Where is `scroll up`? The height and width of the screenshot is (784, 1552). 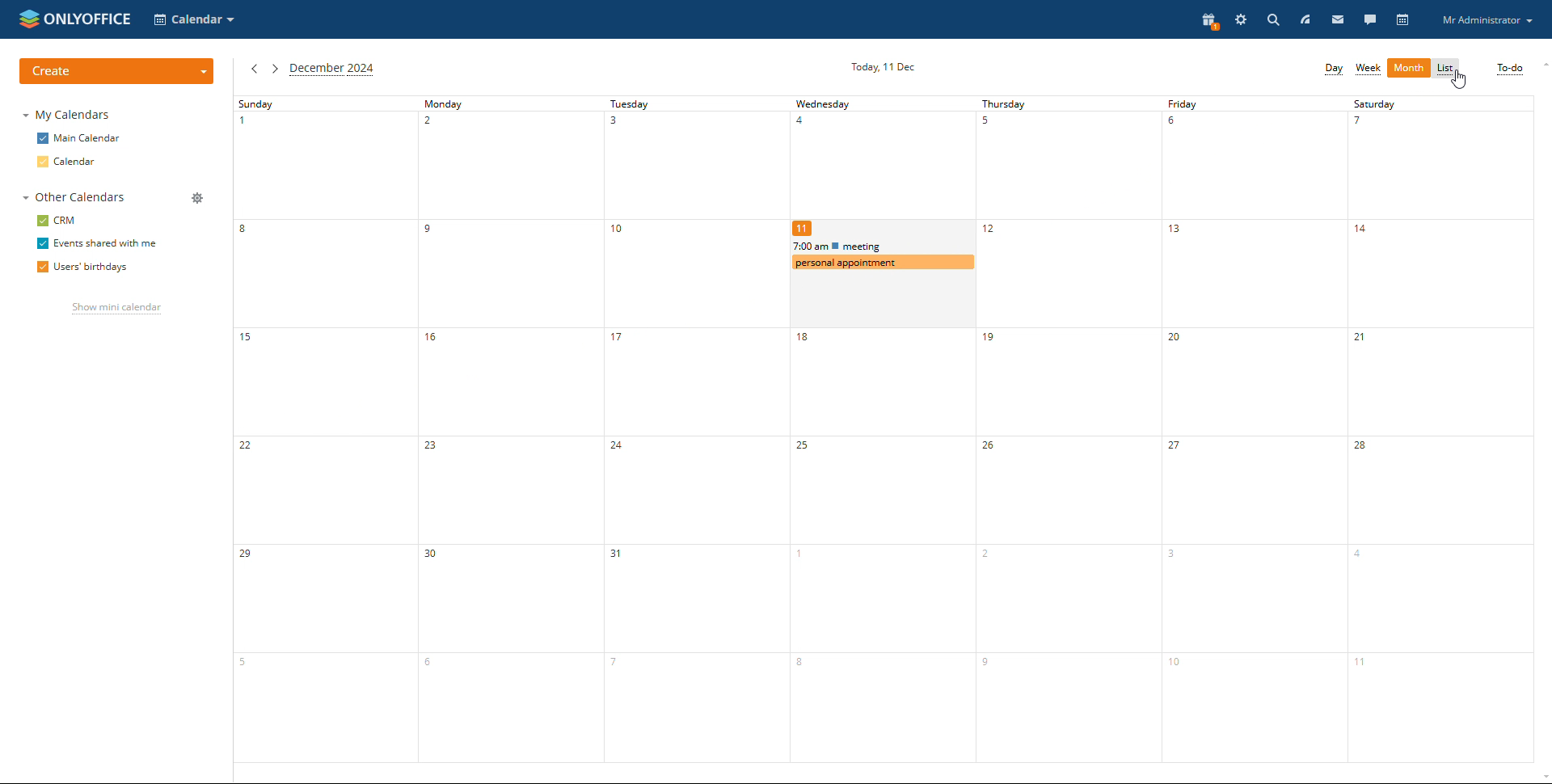
scroll up is located at coordinates (1542, 65).